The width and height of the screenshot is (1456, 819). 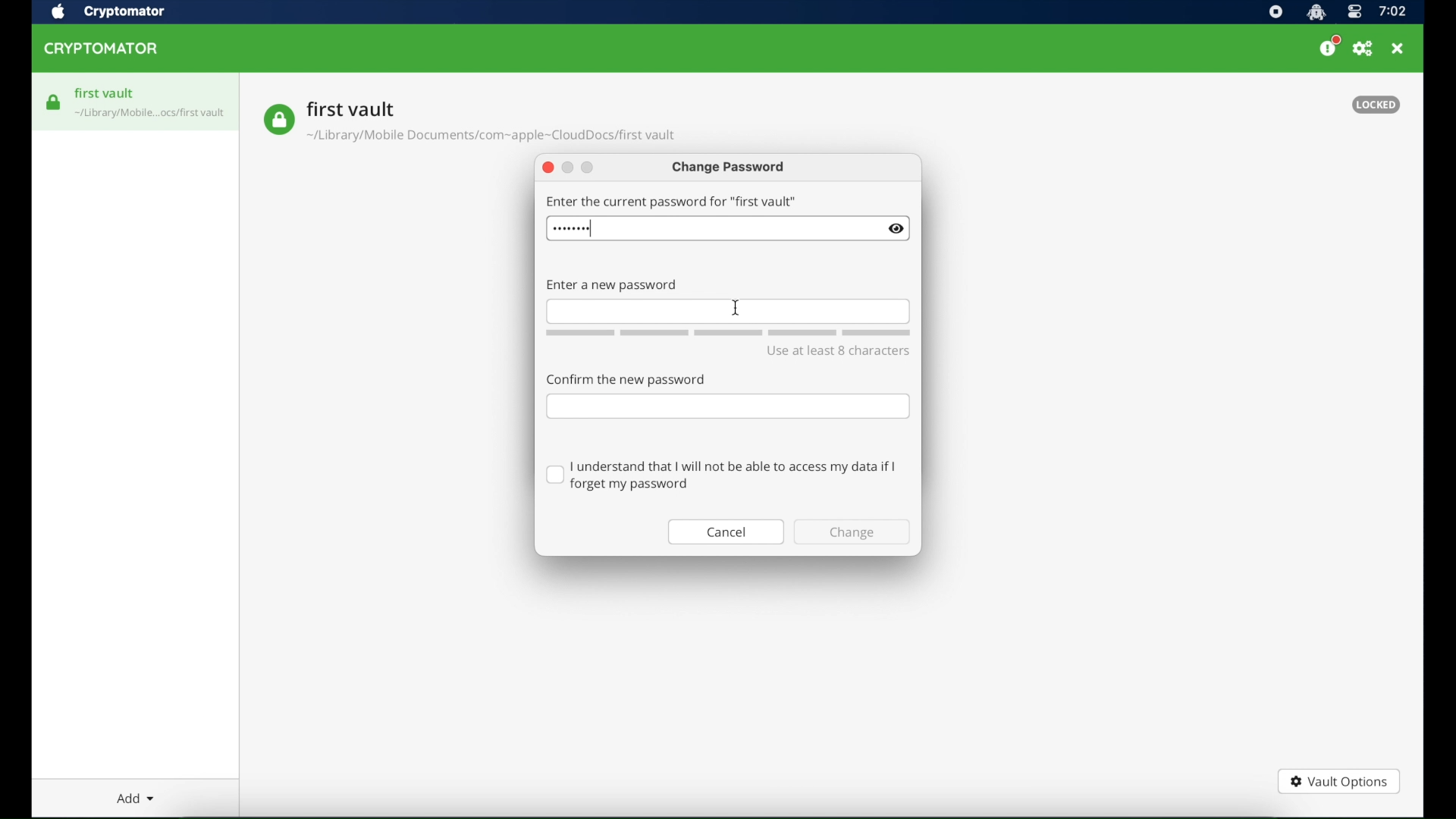 What do you see at coordinates (838, 350) in the screenshot?
I see `use at least 8 character` at bounding box center [838, 350].